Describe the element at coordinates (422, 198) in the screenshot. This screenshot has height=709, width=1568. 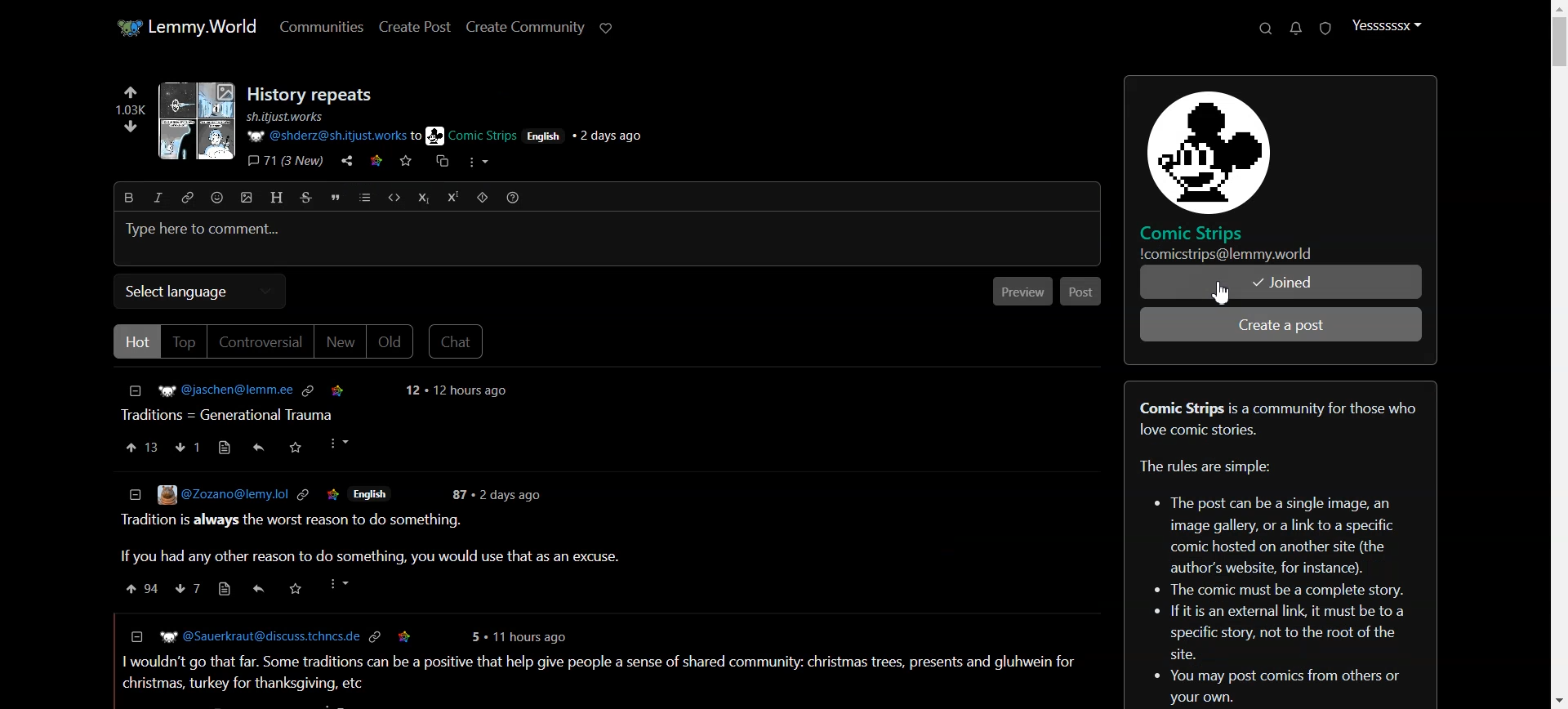
I see `Subscript` at that location.